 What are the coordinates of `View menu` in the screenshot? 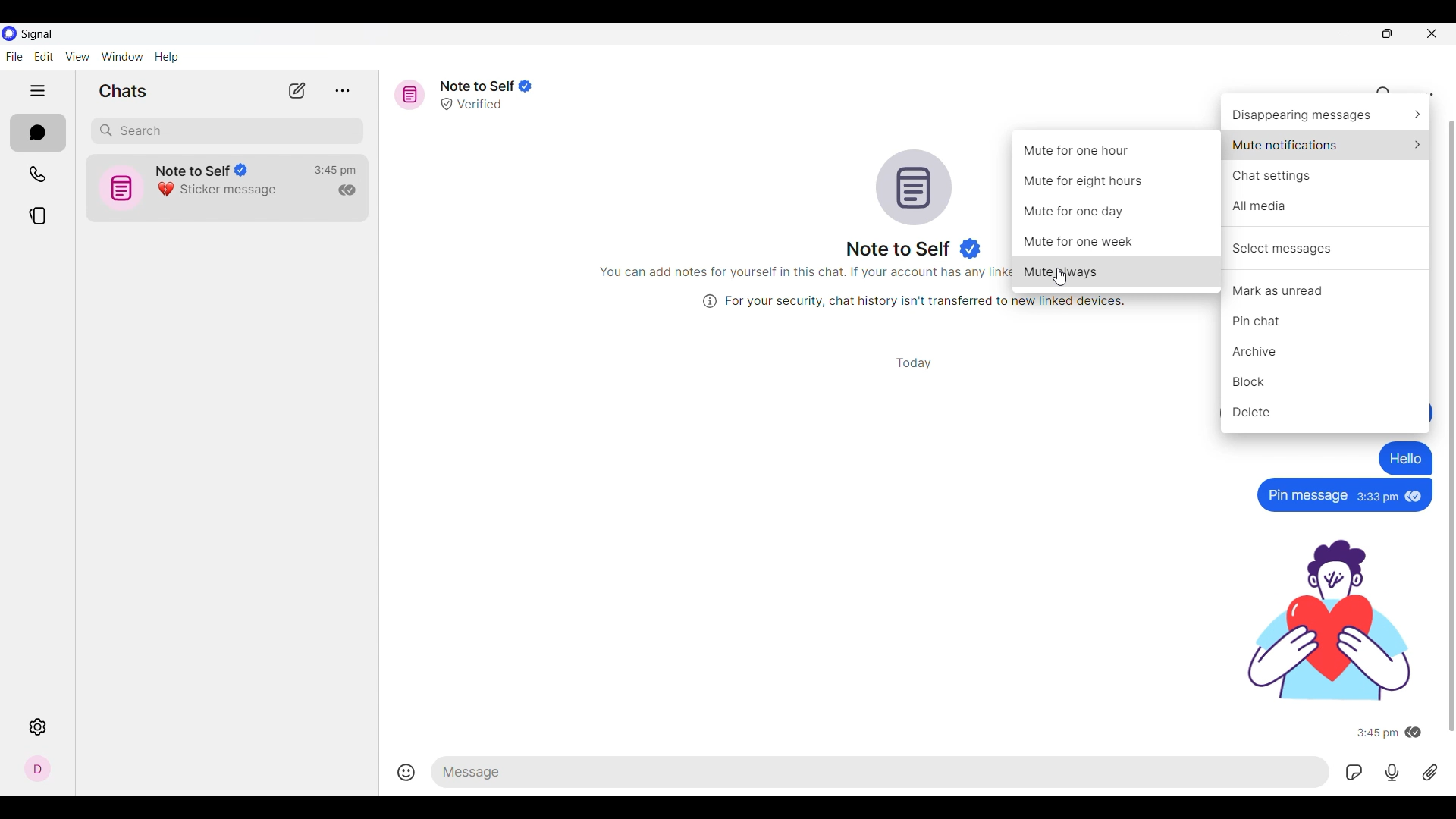 It's located at (77, 56).